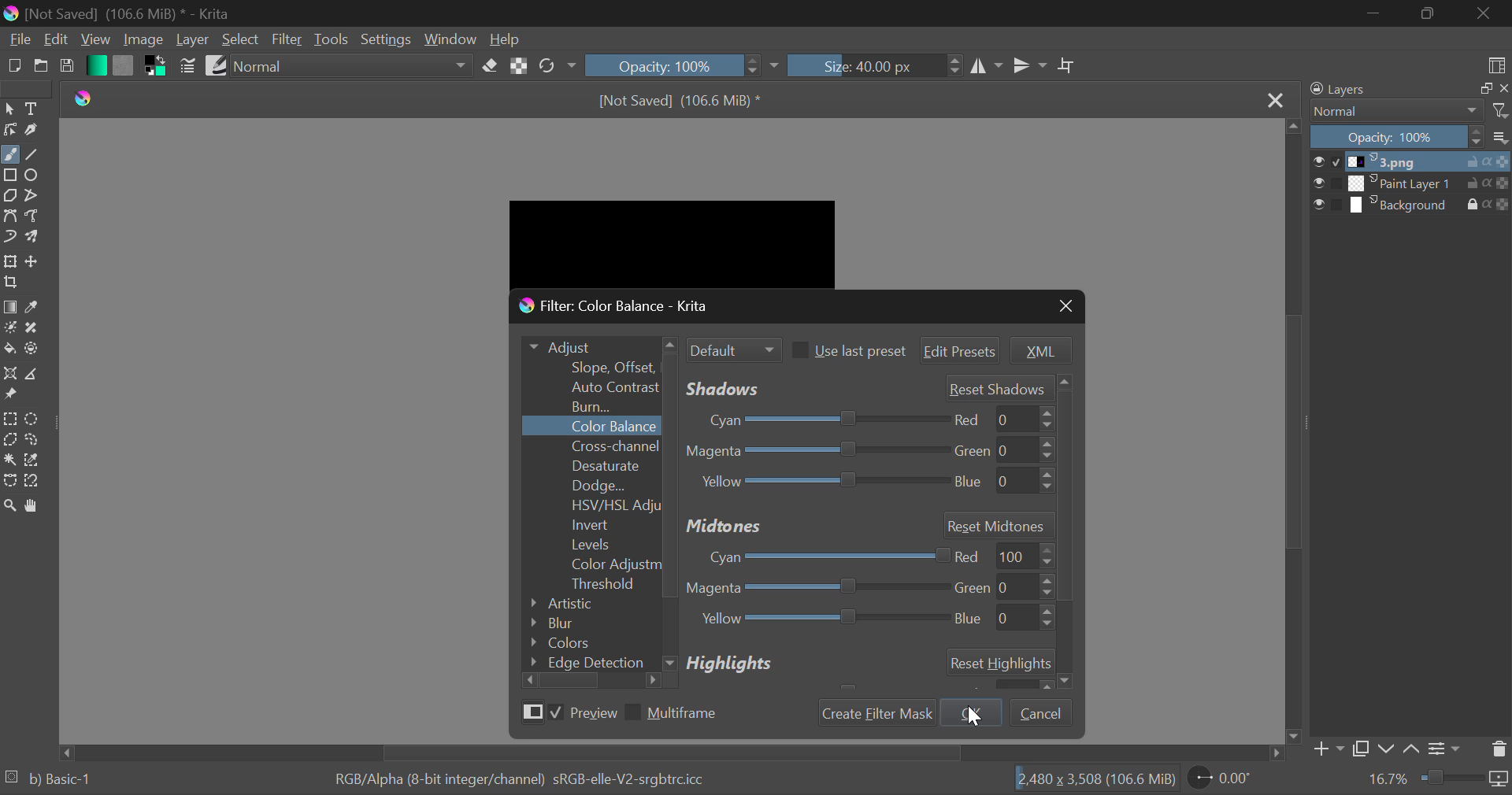  I want to click on Close, so click(1067, 307).